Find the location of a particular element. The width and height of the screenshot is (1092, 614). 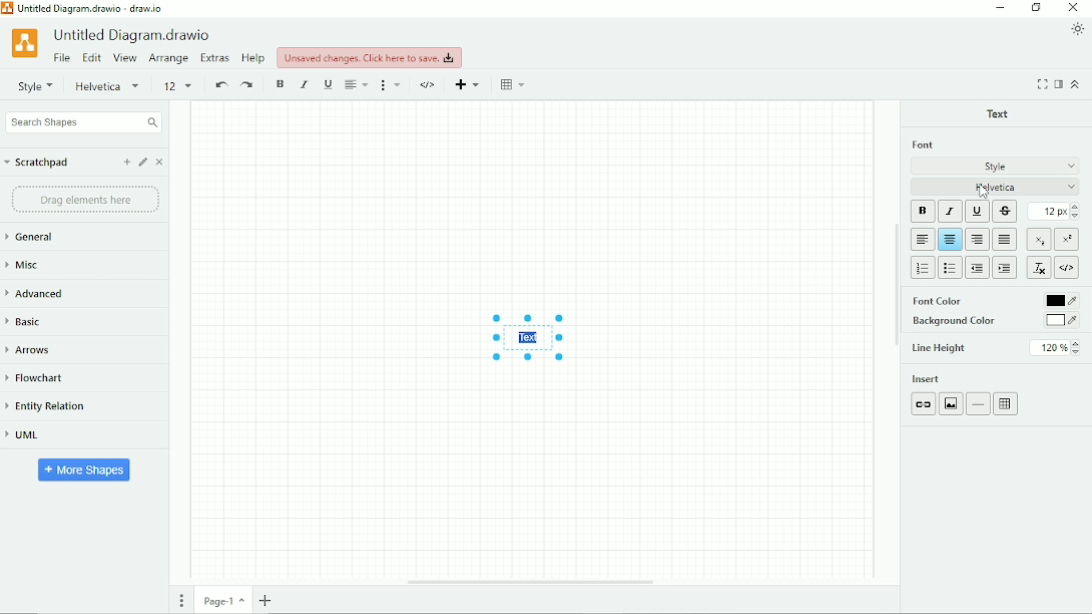

Arrows is located at coordinates (38, 350).